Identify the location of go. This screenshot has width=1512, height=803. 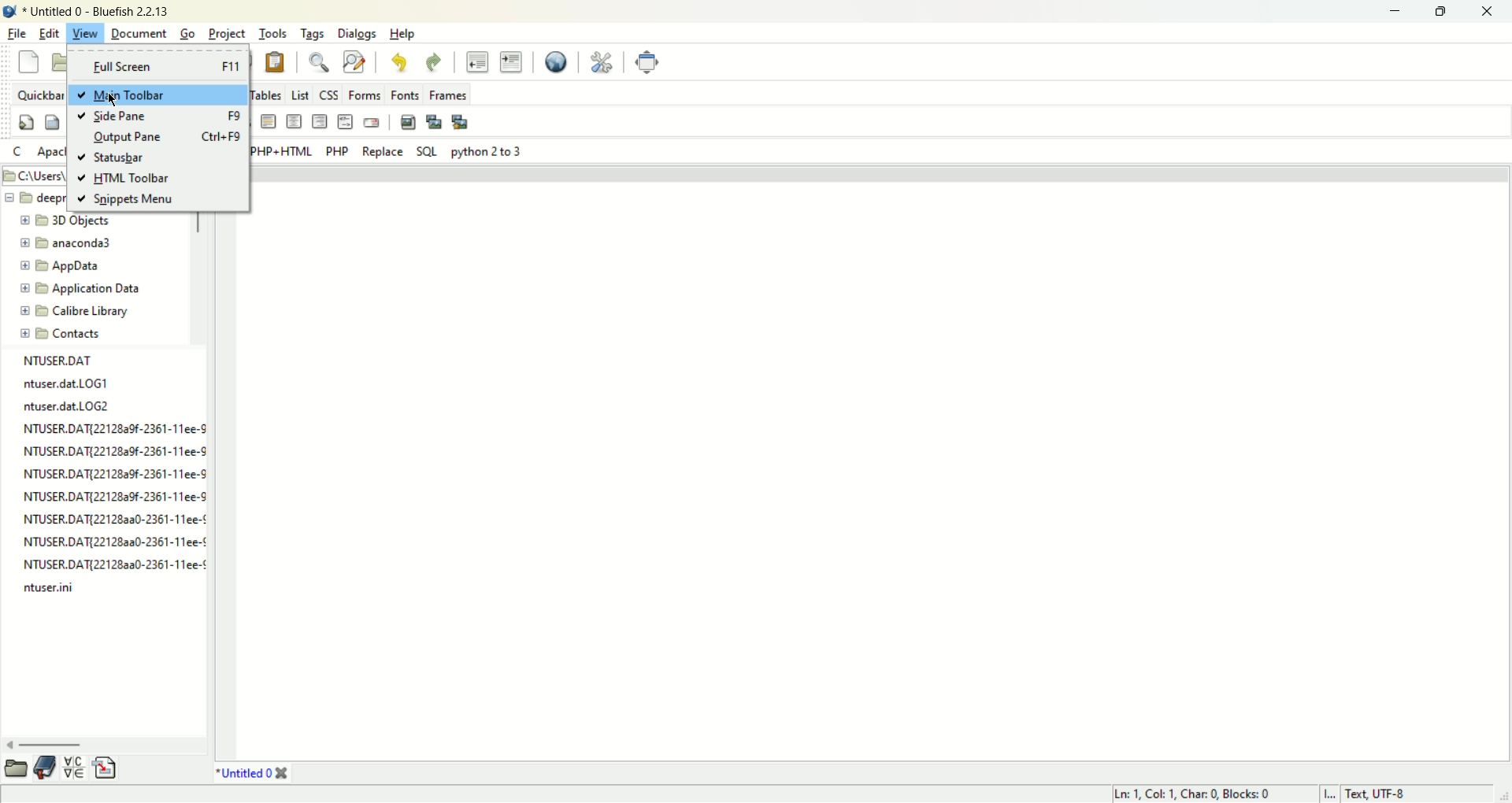
(187, 33).